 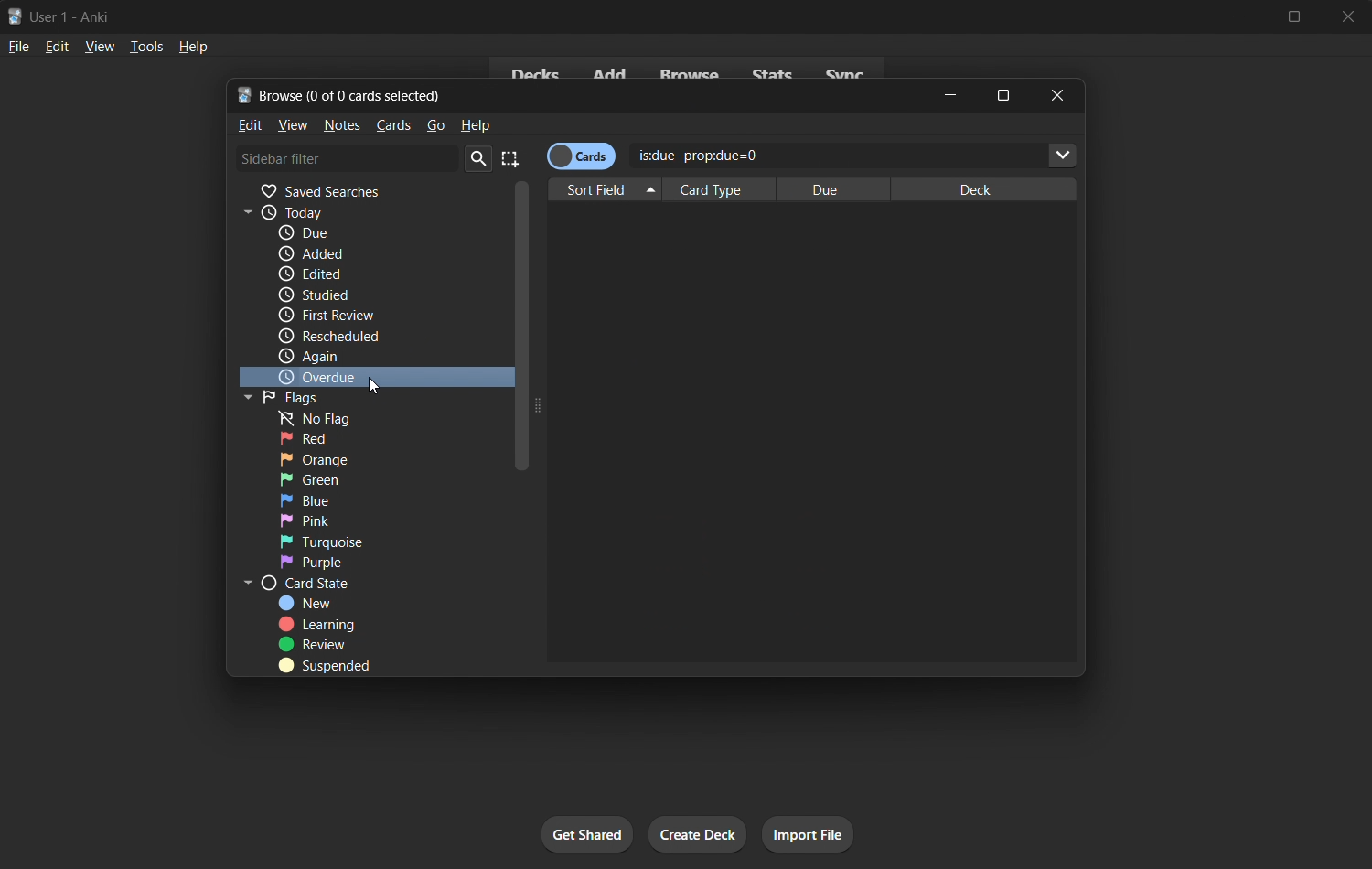 What do you see at coordinates (145, 46) in the screenshot?
I see `tools` at bounding box center [145, 46].